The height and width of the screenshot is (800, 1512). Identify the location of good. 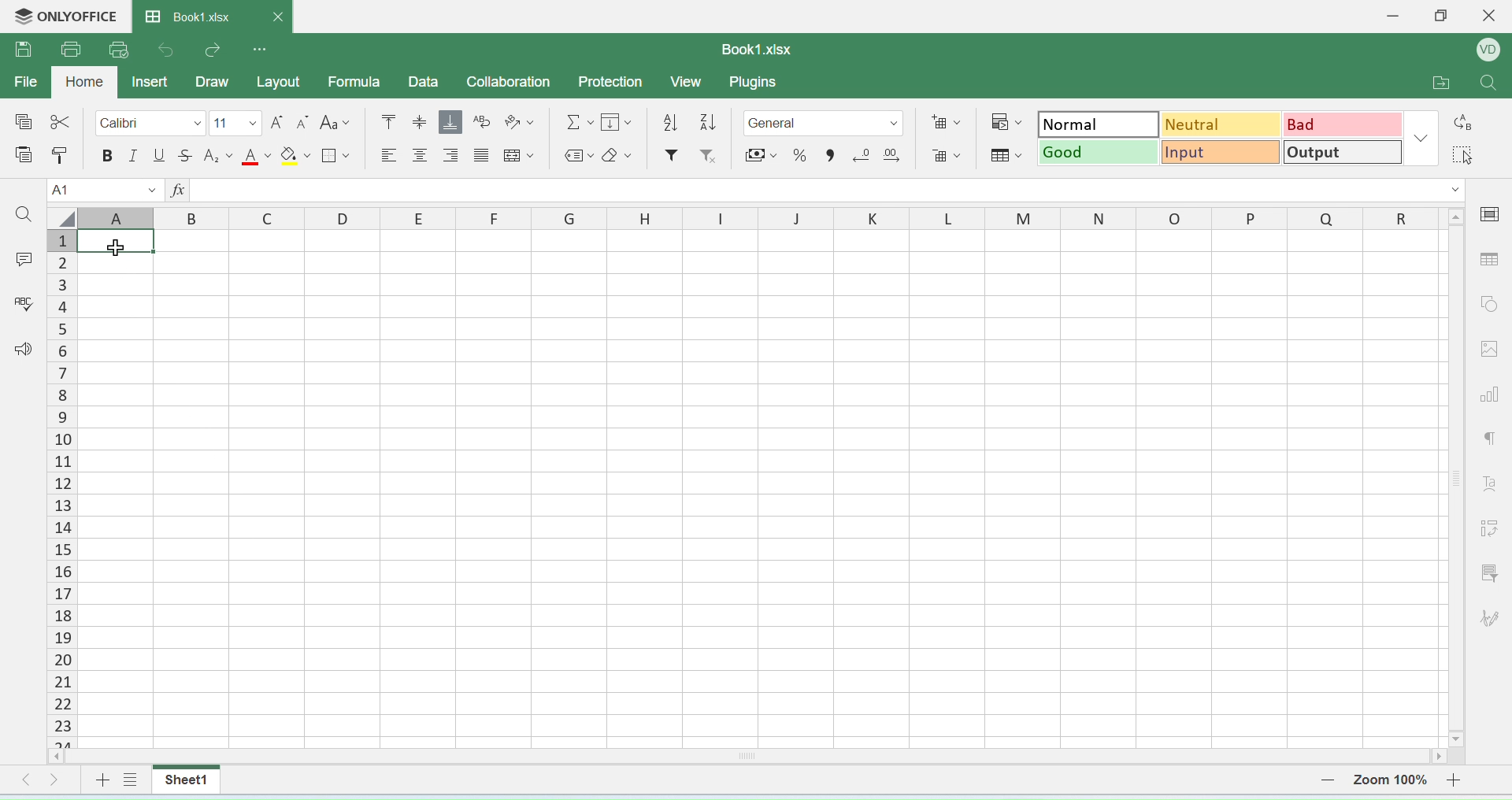
(1097, 152).